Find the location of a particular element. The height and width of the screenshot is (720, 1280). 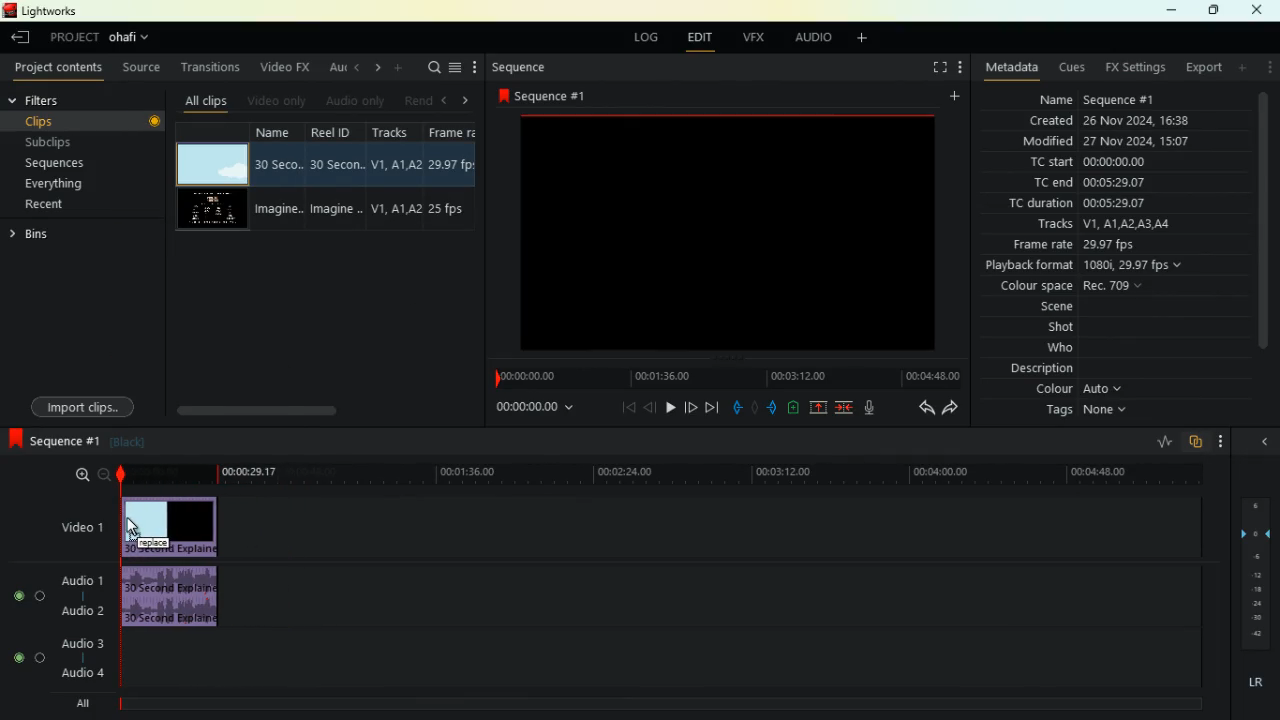

up is located at coordinates (818, 408).